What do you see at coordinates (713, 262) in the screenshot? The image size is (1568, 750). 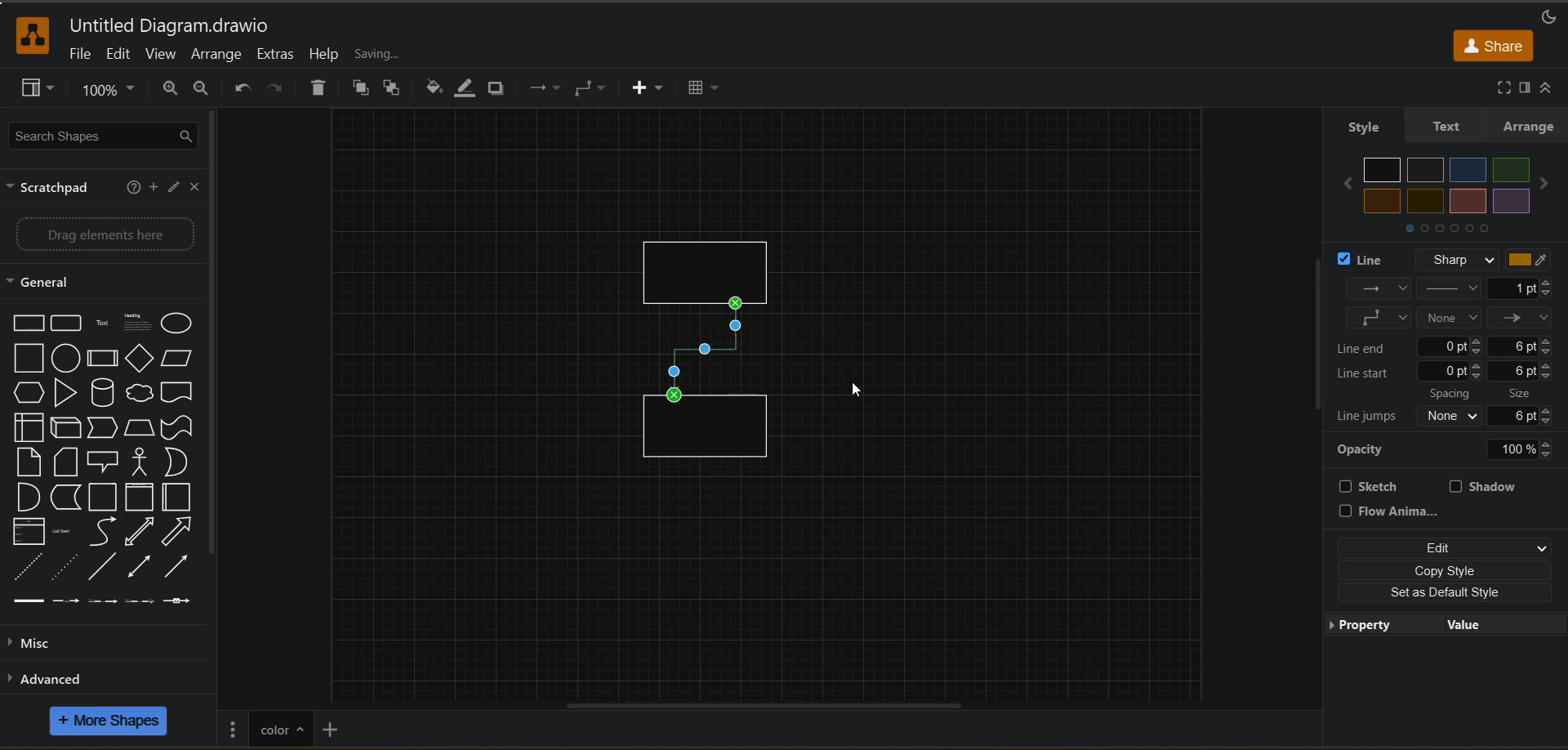 I see `rectangle` at bounding box center [713, 262].